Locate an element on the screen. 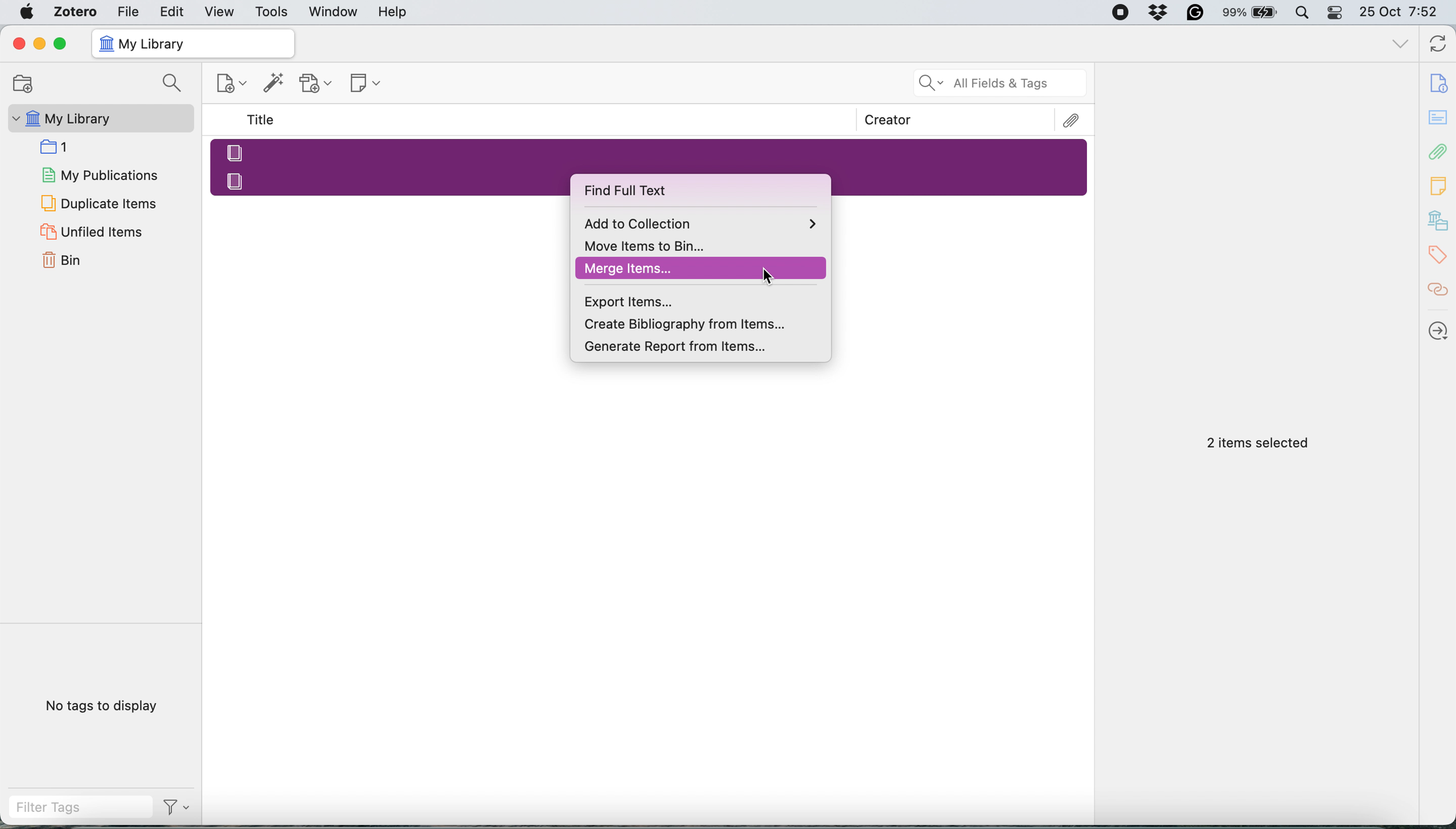 Image resolution: width=1456 pixels, height=829 pixels. Open Folder is located at coordinates (21, 83).